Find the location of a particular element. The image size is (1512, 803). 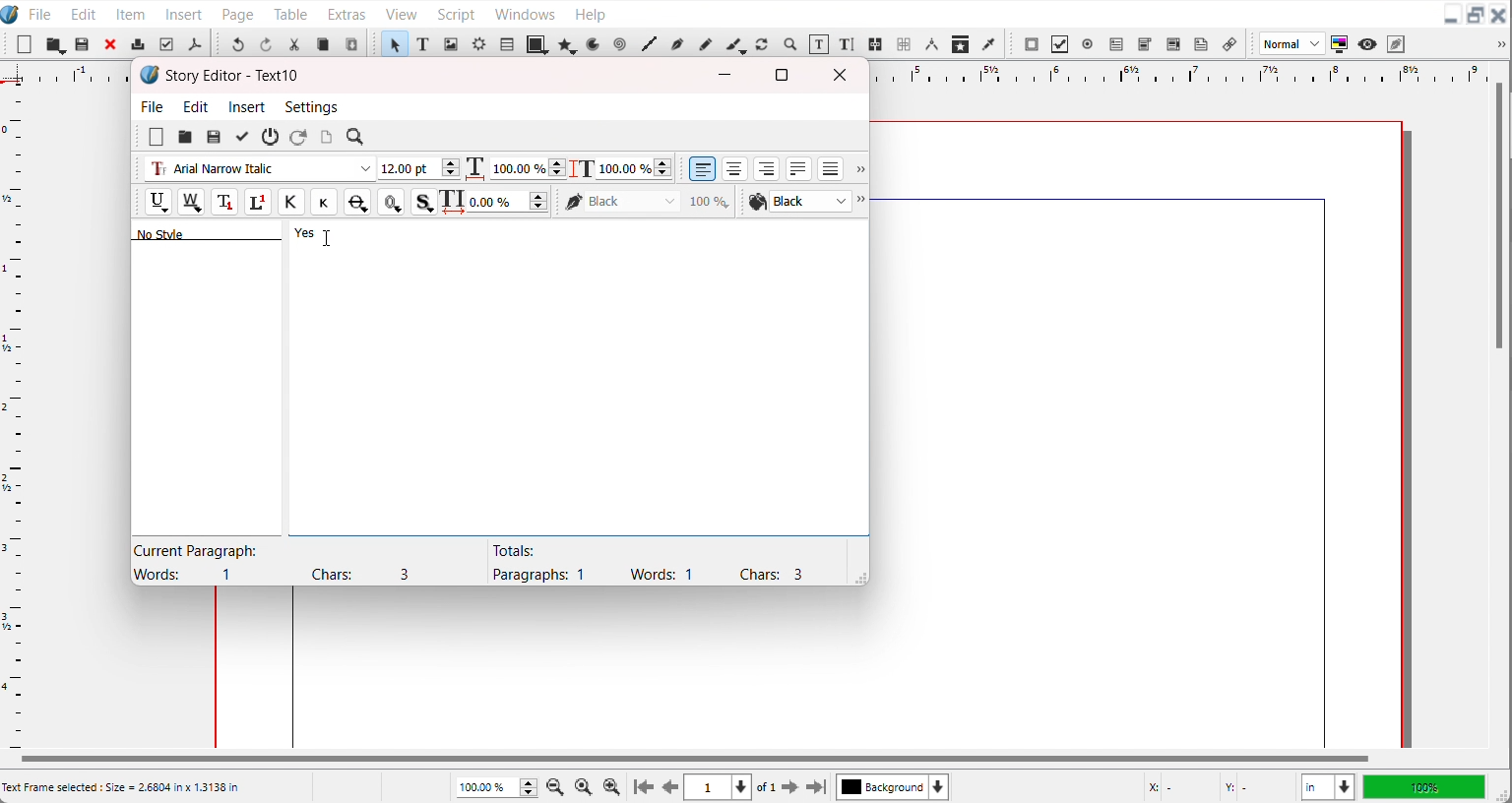

Vertical Scale is located at coordinates (14, 413).